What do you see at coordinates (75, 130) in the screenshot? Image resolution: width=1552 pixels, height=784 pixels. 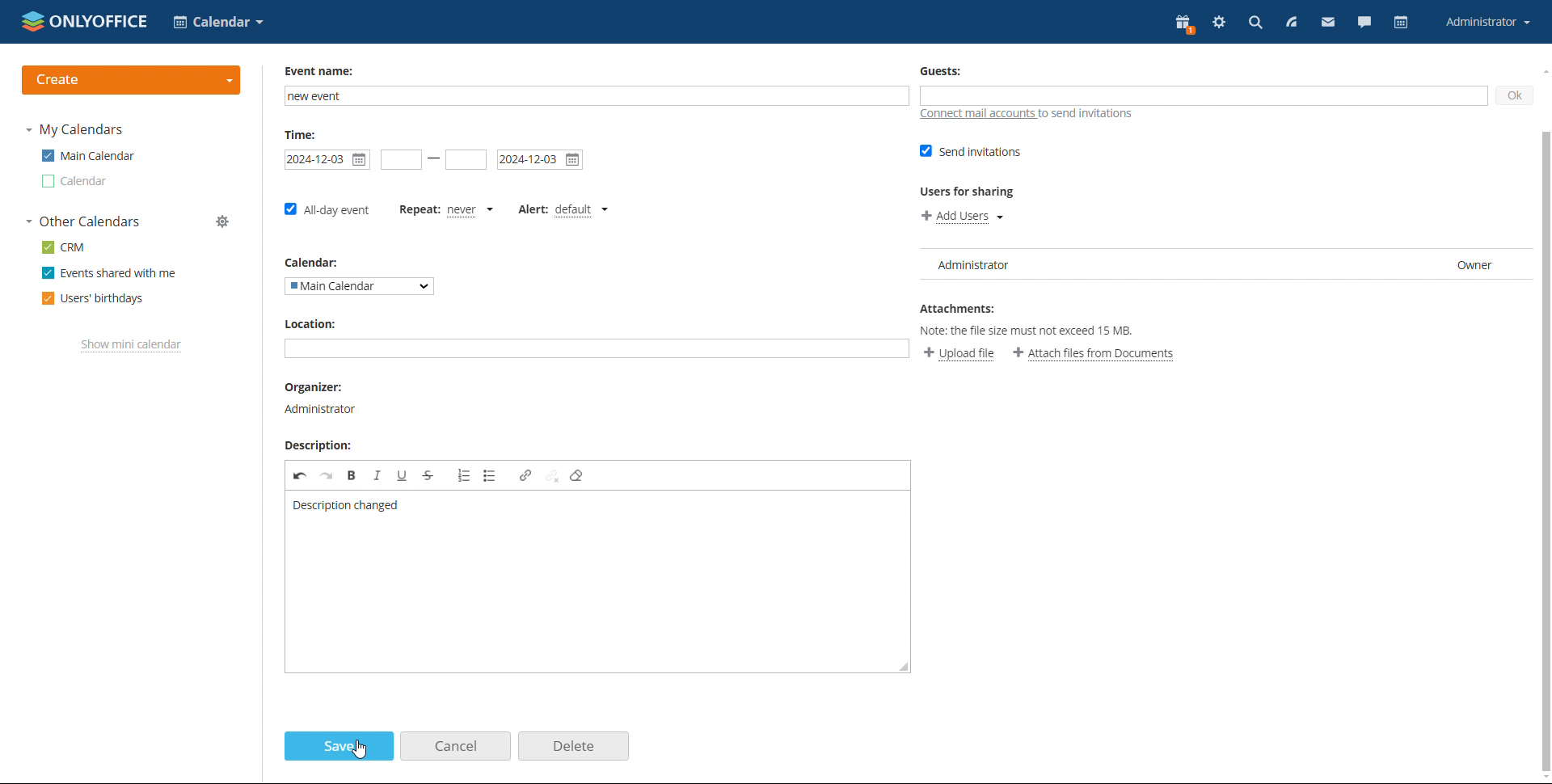 I see `my calendars` at bounding box center [75, 130].